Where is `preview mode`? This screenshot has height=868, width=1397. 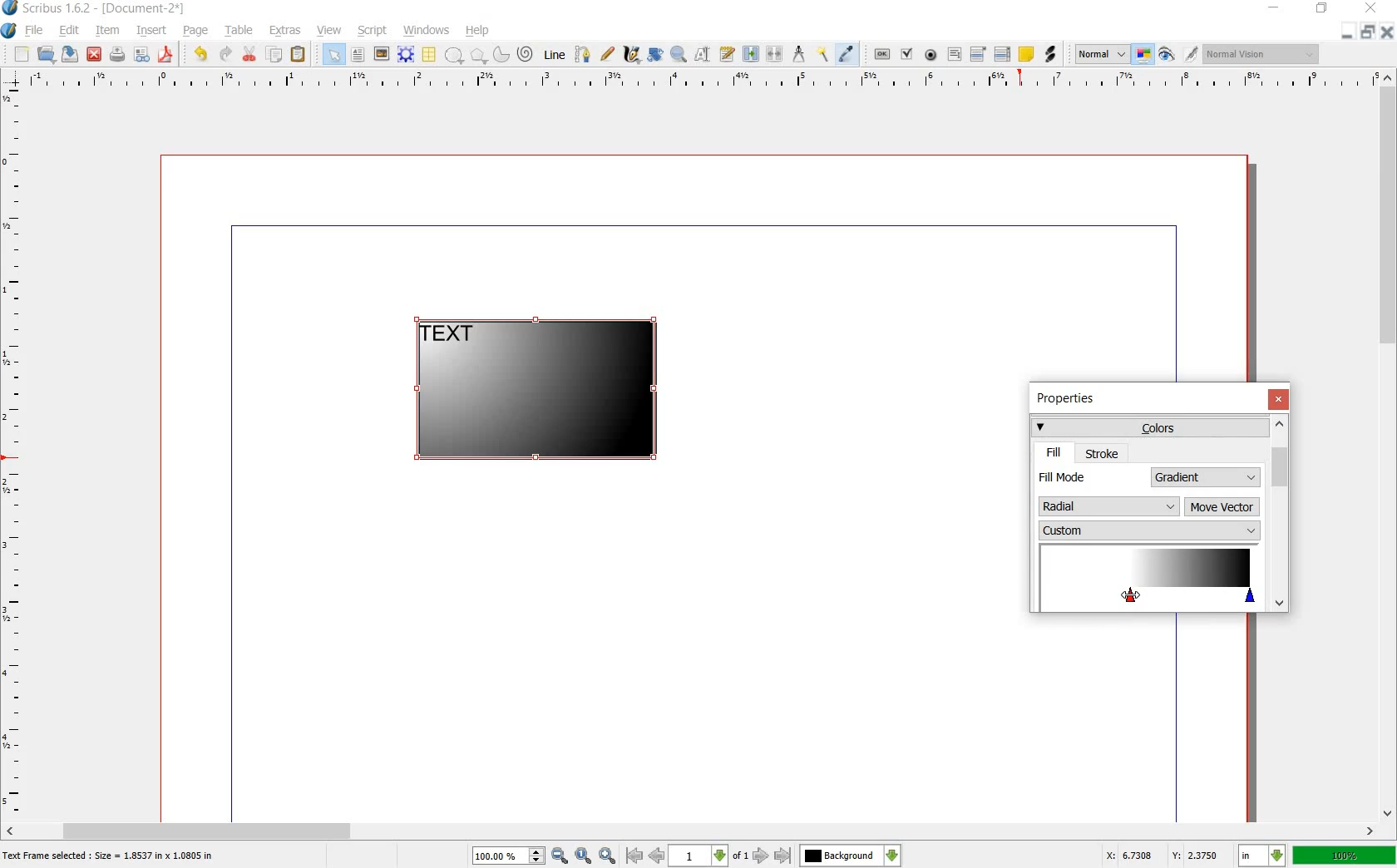
preview mode is located at coordinates (1167, 54).